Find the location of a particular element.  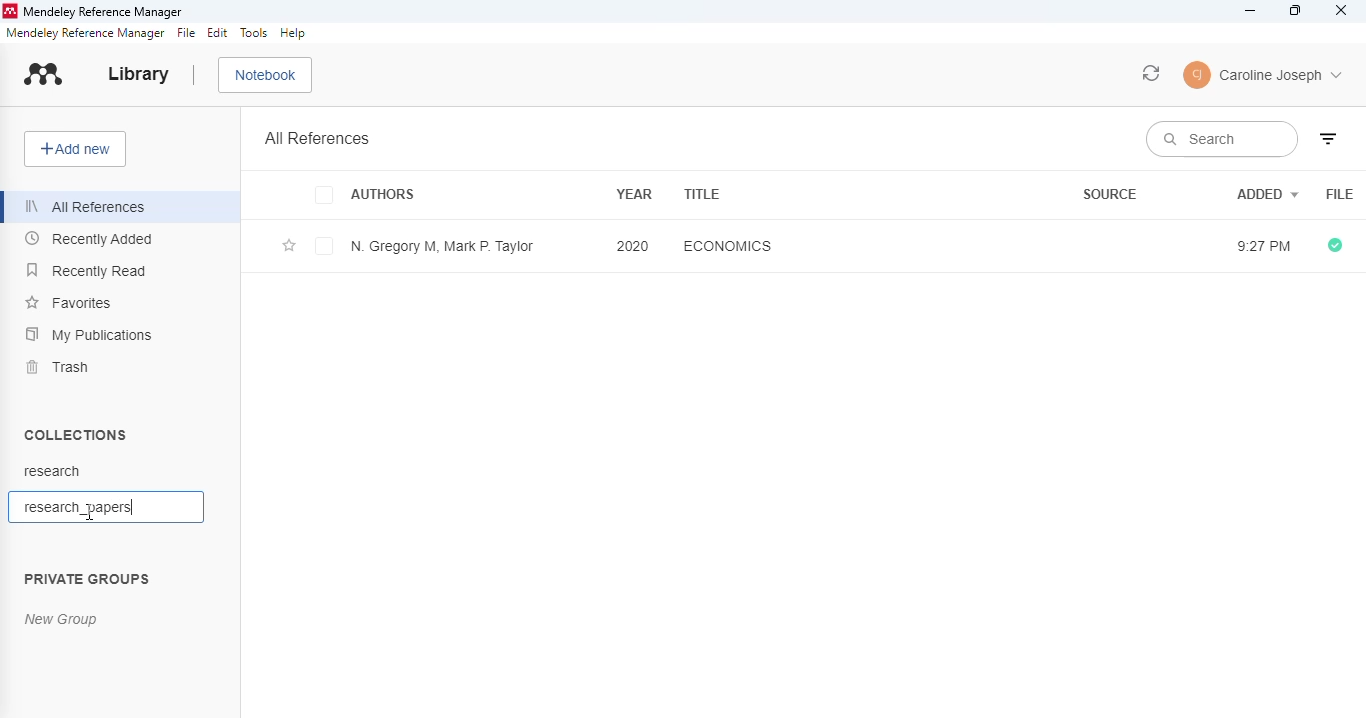

all references is located at coordinates (318, 138).